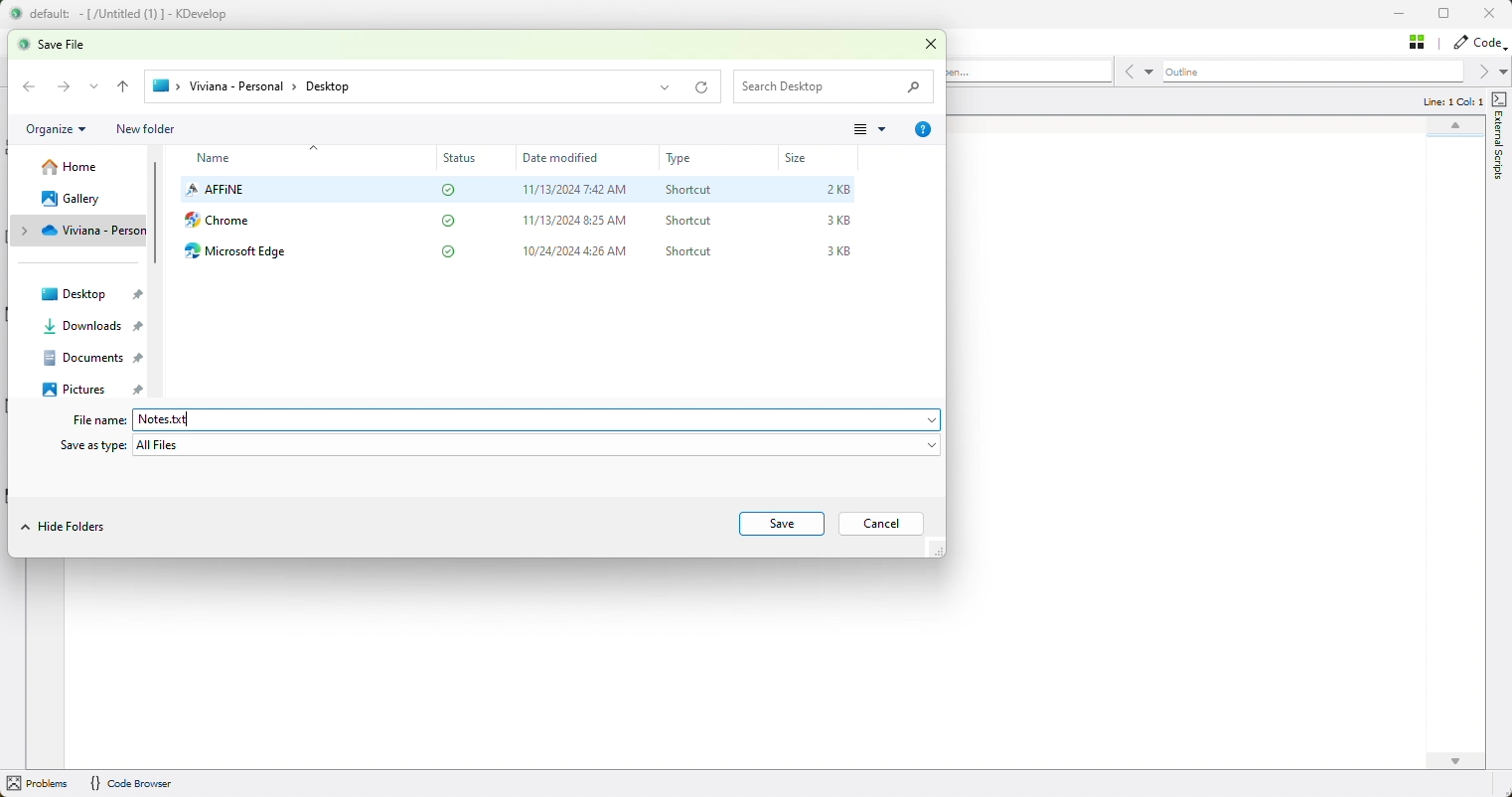 This screenshot has height=797, width=1512. I want to click on Stash, so click(1419, 41).